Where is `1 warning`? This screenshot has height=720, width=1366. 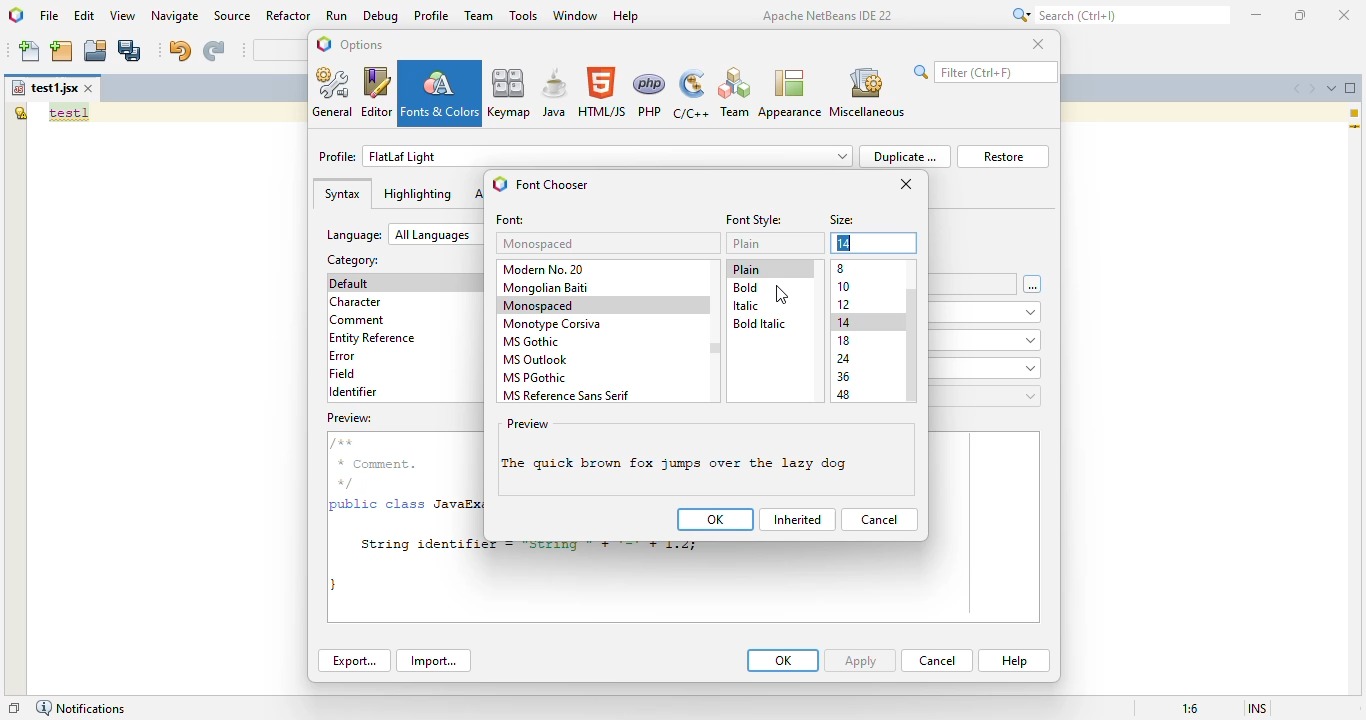 1 warning is located at coordinates (1357, 113).